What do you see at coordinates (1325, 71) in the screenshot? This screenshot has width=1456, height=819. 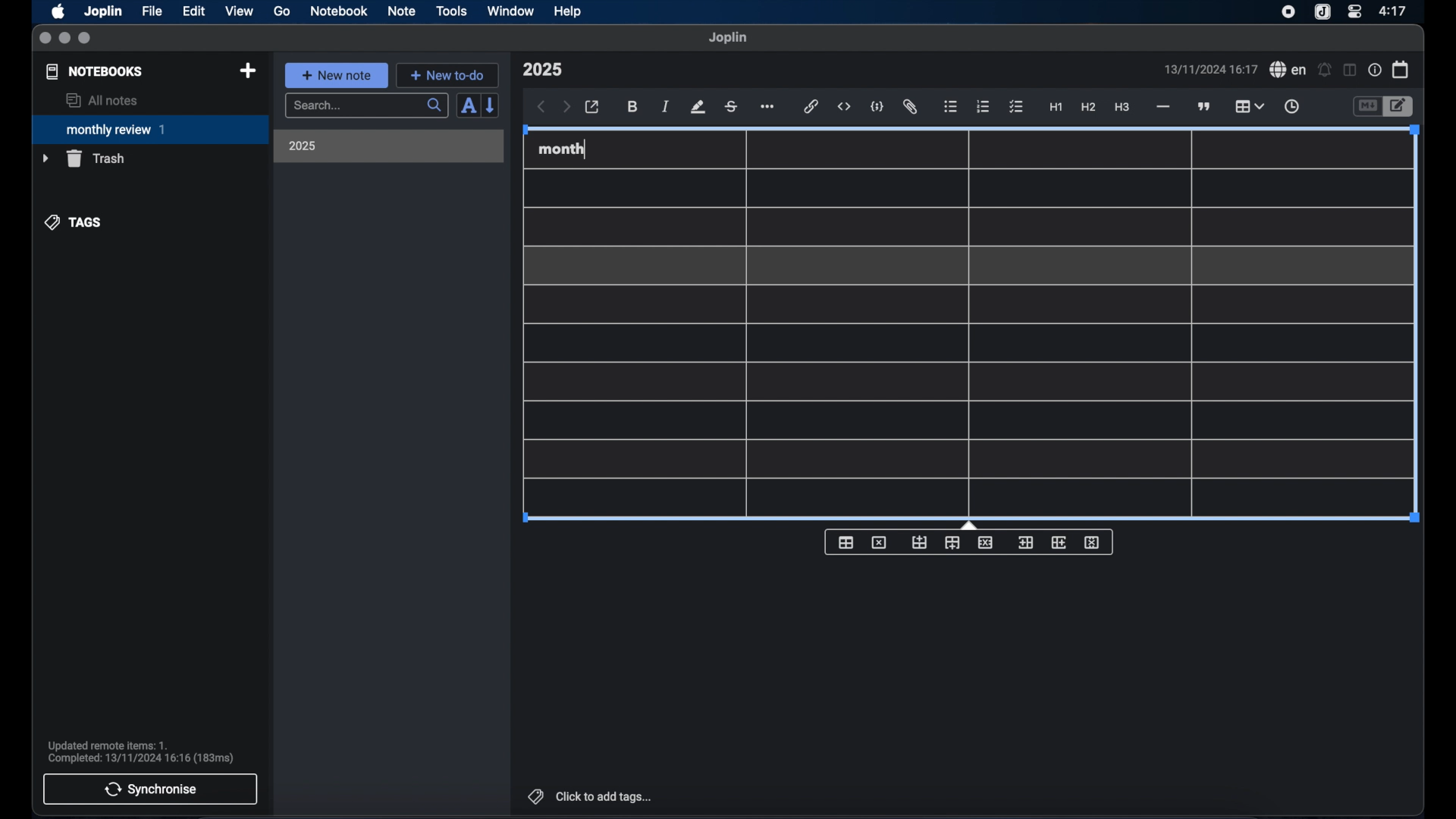 I see `set alarm` at bounding box center [1325, 71].